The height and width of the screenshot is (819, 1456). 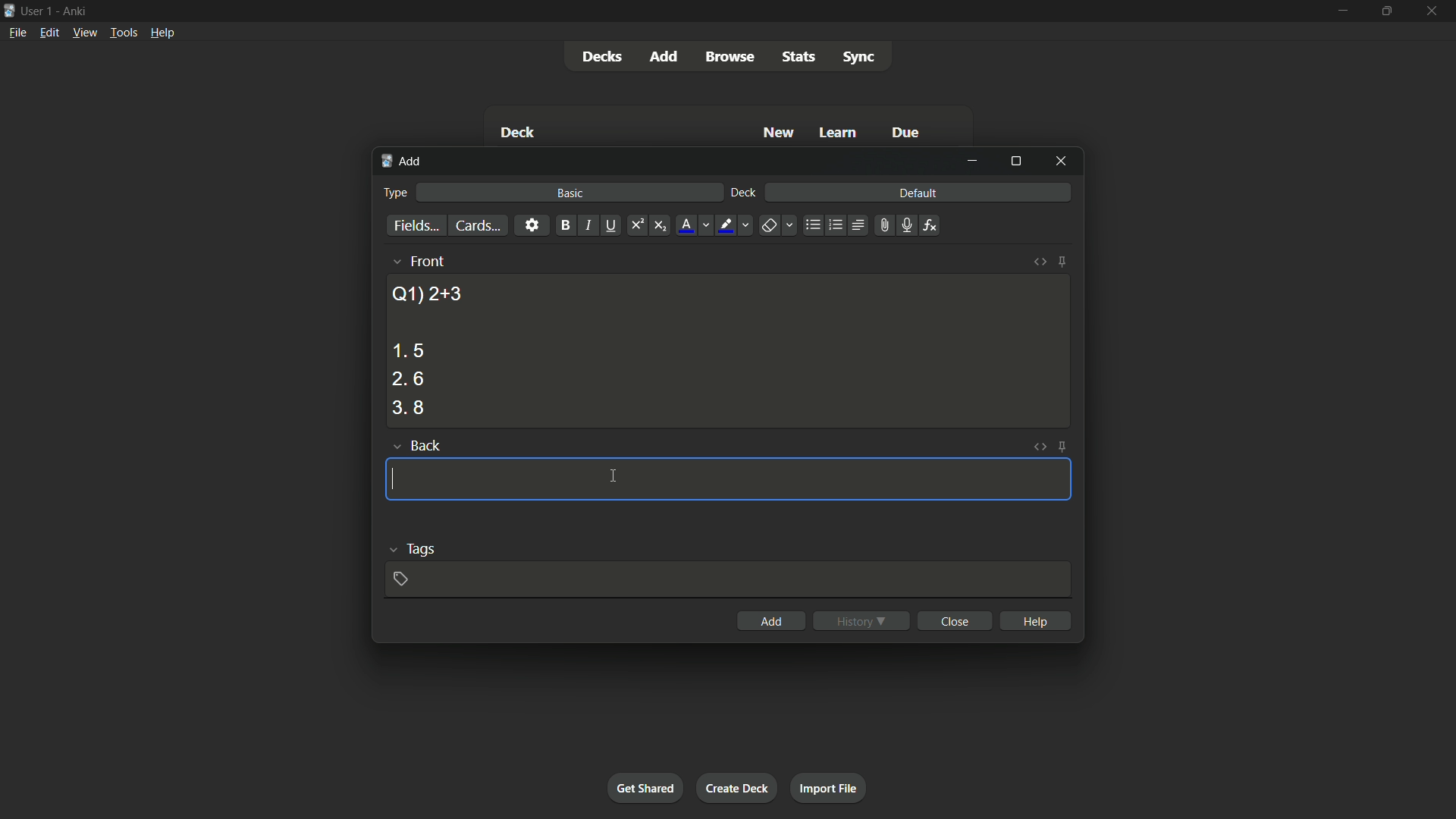 What do you see at coordinates (426, 261) in the screenshot?
I see `front` at bounding box center [426, 261].